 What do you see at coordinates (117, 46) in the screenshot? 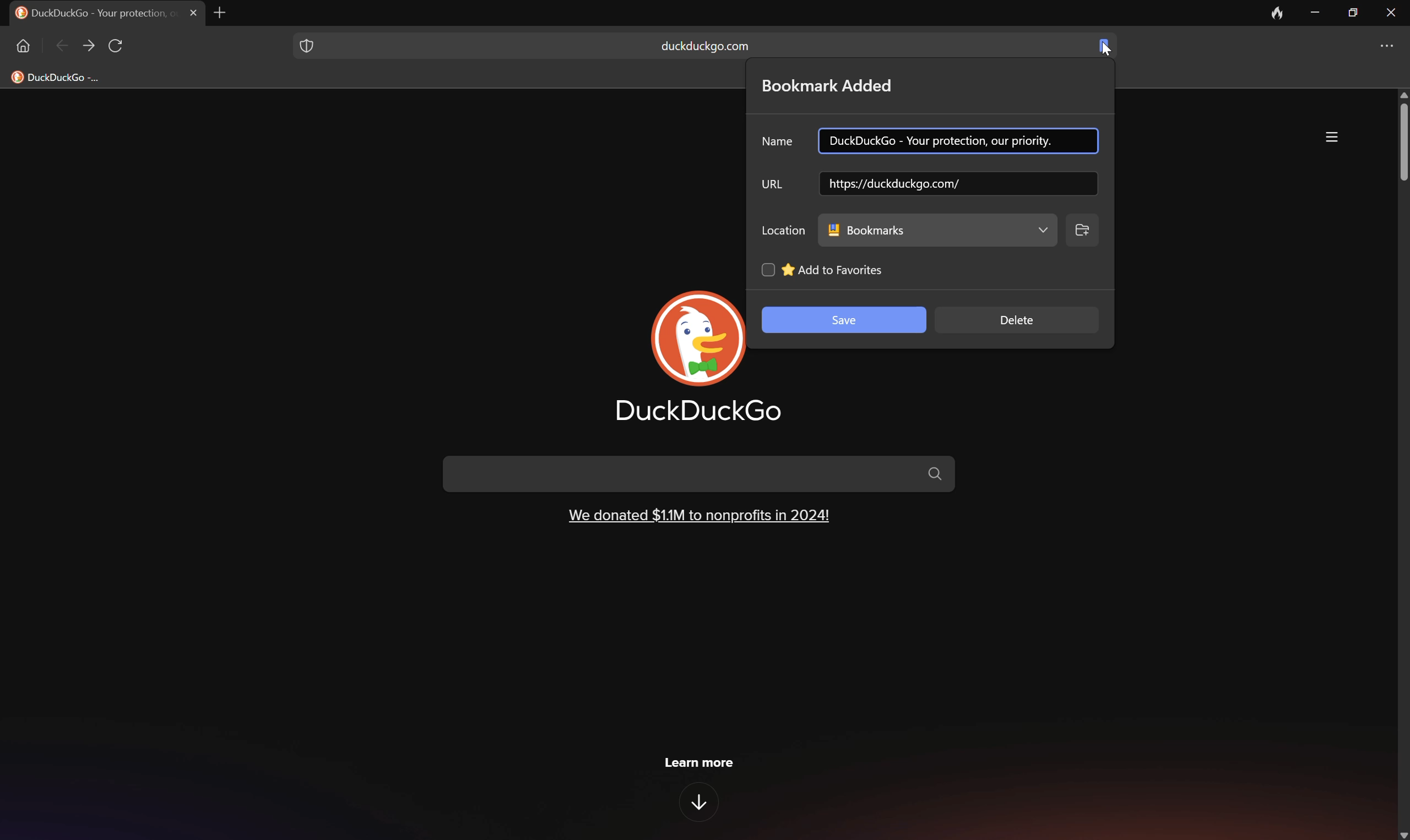
I see `Reload` at bounding box center [117, 46].